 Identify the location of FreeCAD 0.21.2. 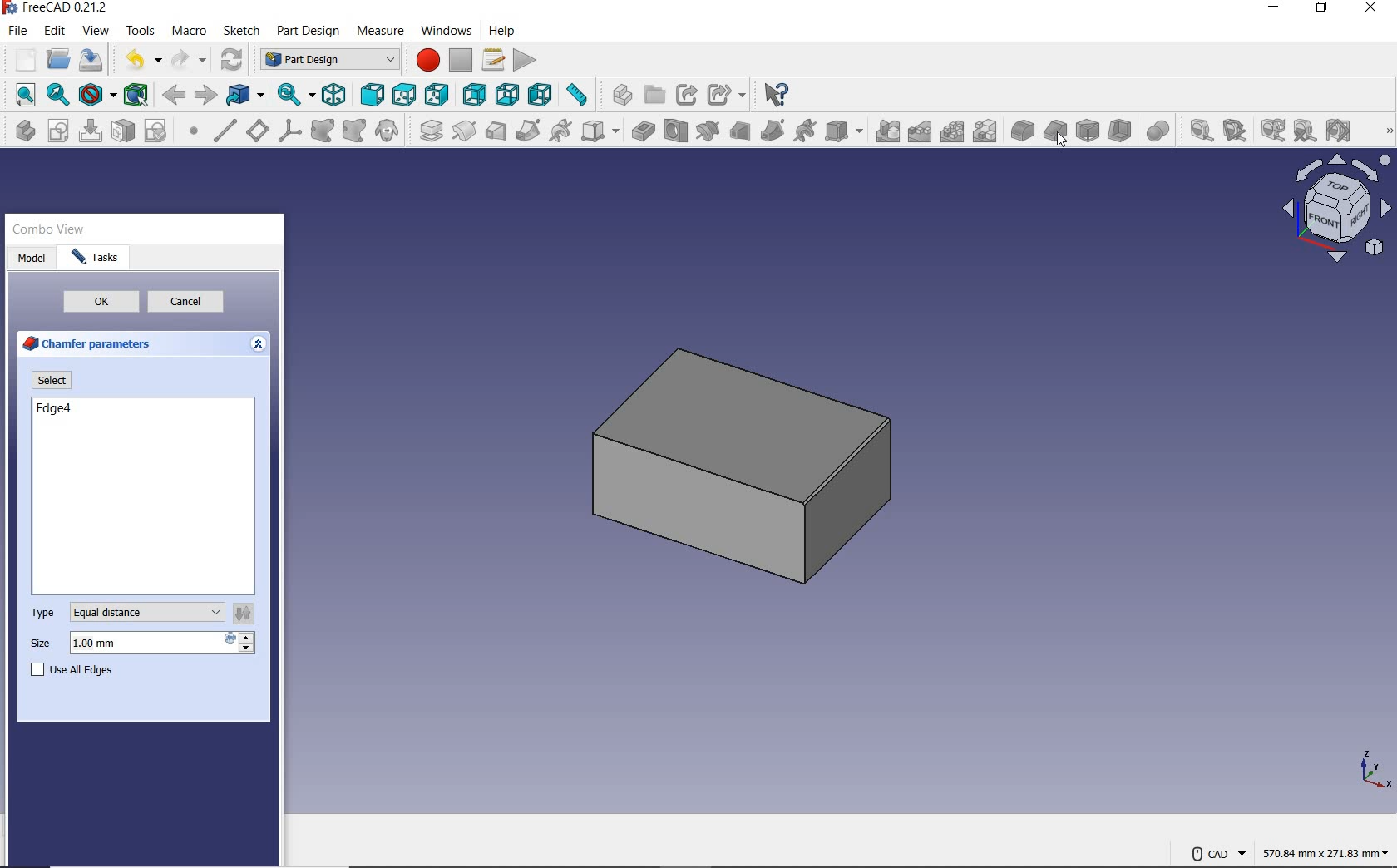
(59, 7).